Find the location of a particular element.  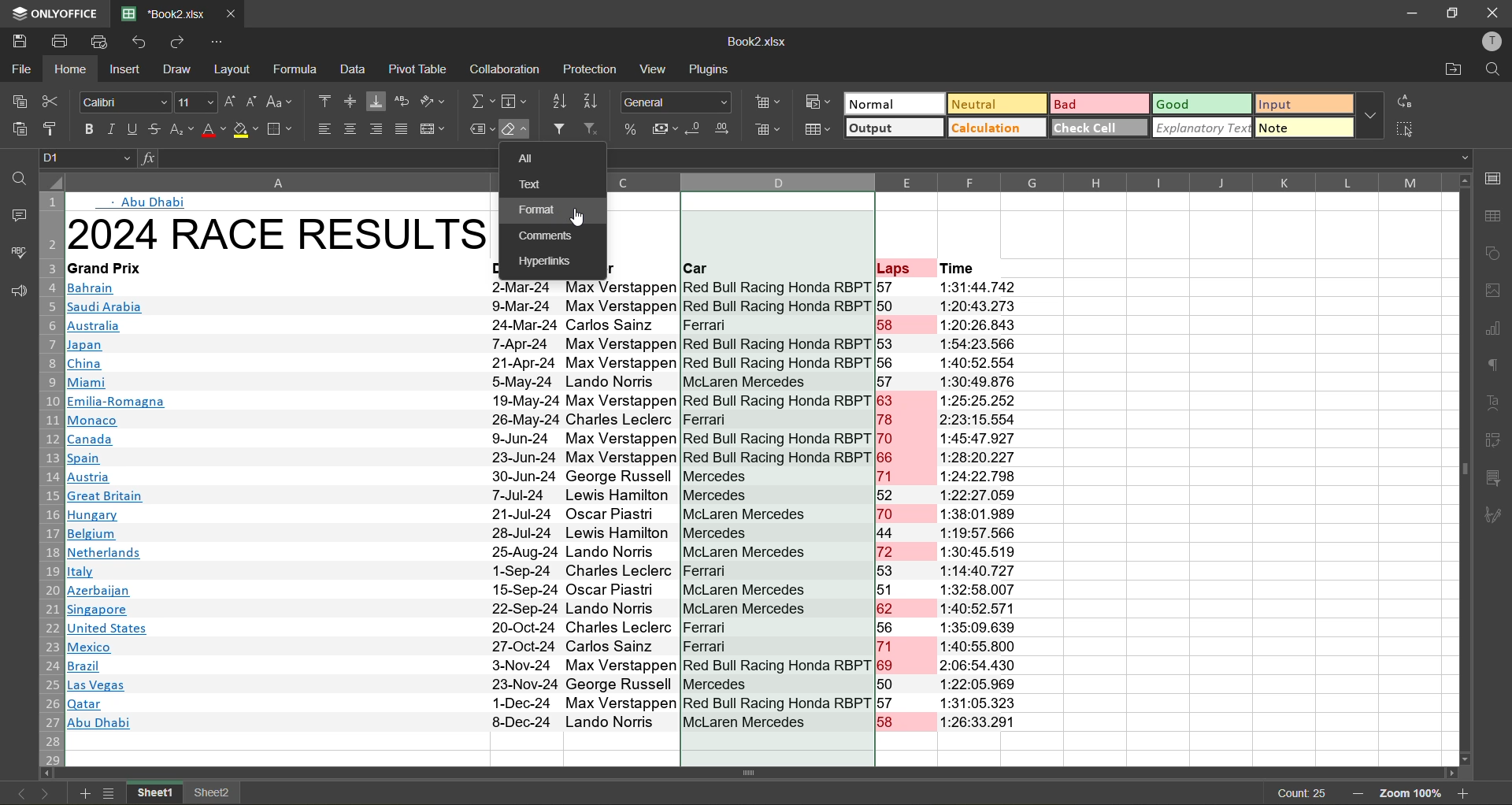

wrap text is located at coordinates (402, 102).